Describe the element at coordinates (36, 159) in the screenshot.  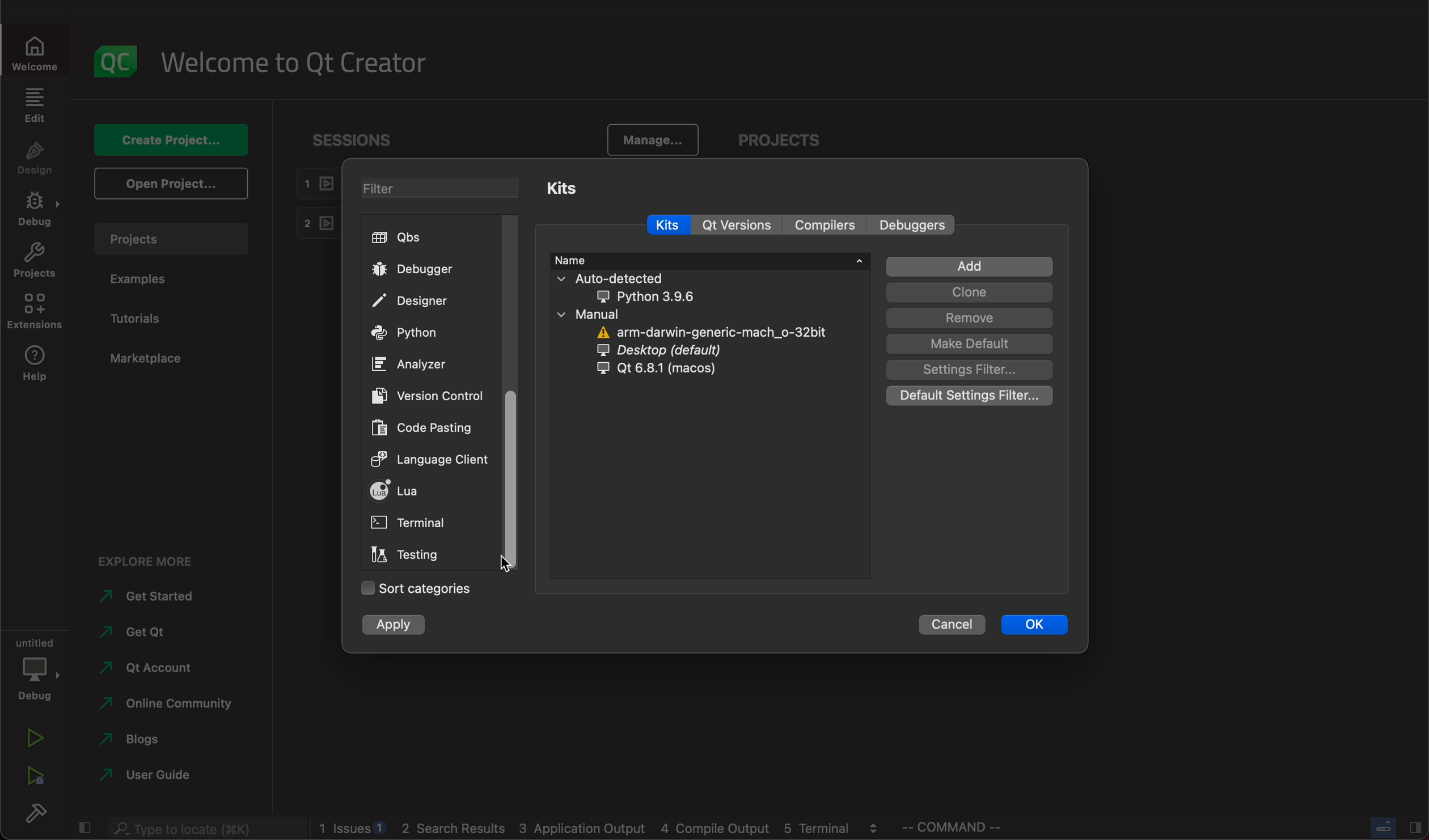
I see `design` at that location.